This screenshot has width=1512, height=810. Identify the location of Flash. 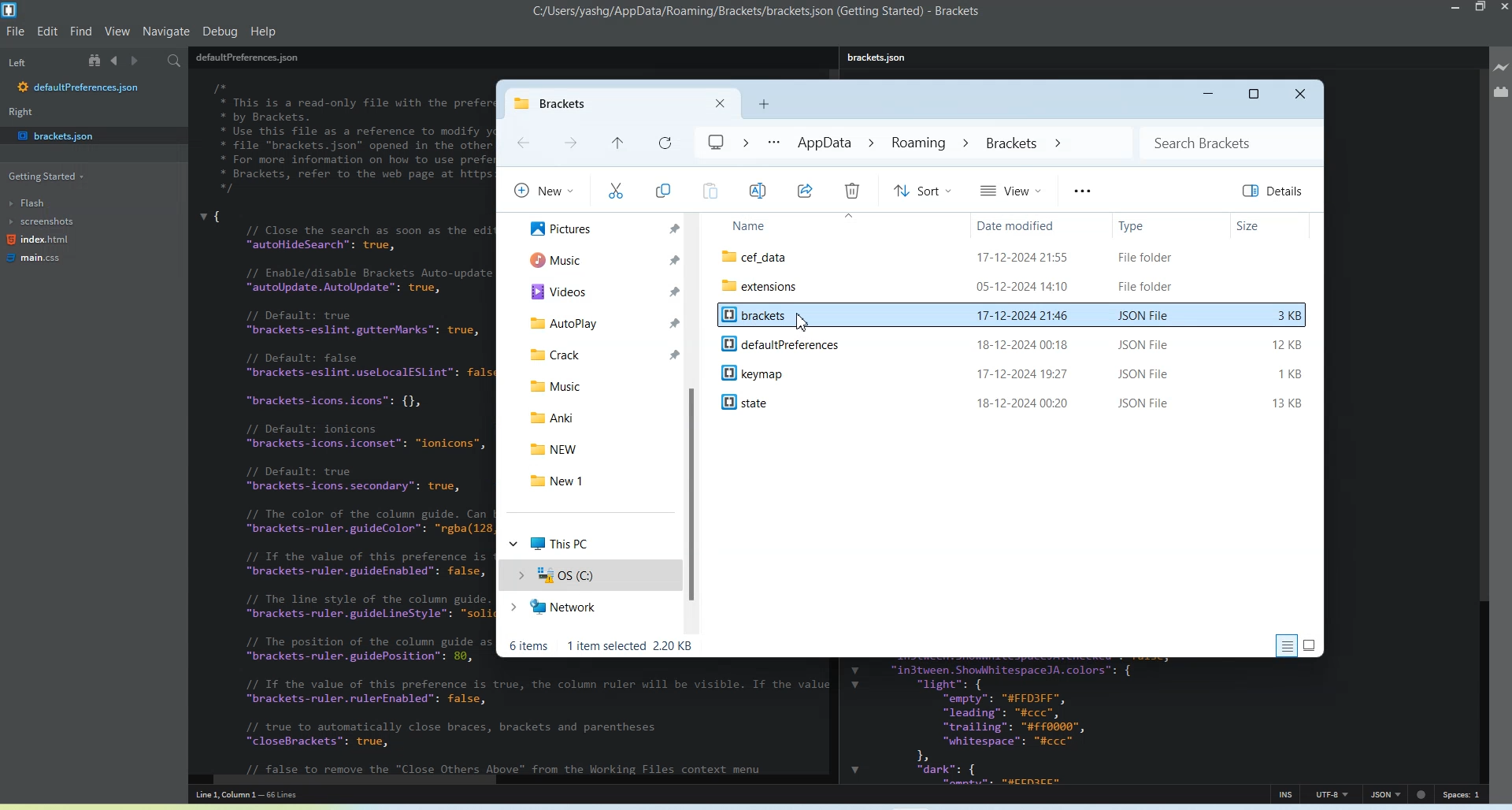
(38, 202).